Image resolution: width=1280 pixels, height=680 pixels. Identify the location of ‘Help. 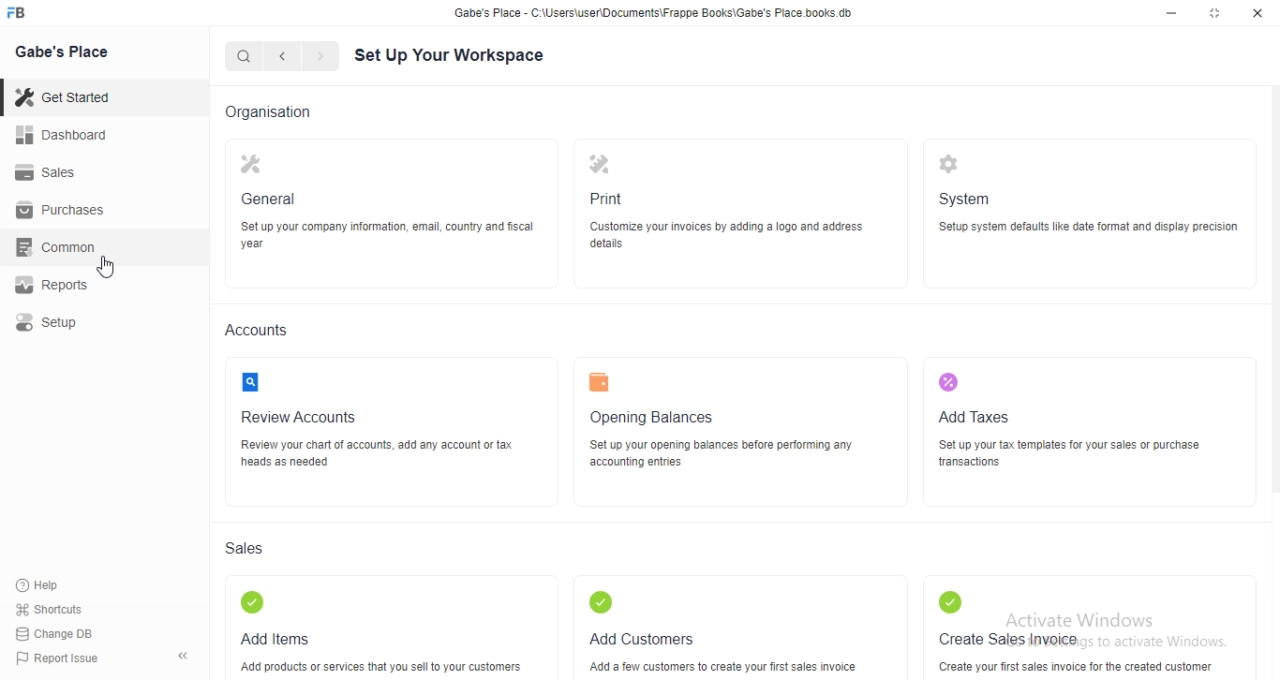
(61, 585).